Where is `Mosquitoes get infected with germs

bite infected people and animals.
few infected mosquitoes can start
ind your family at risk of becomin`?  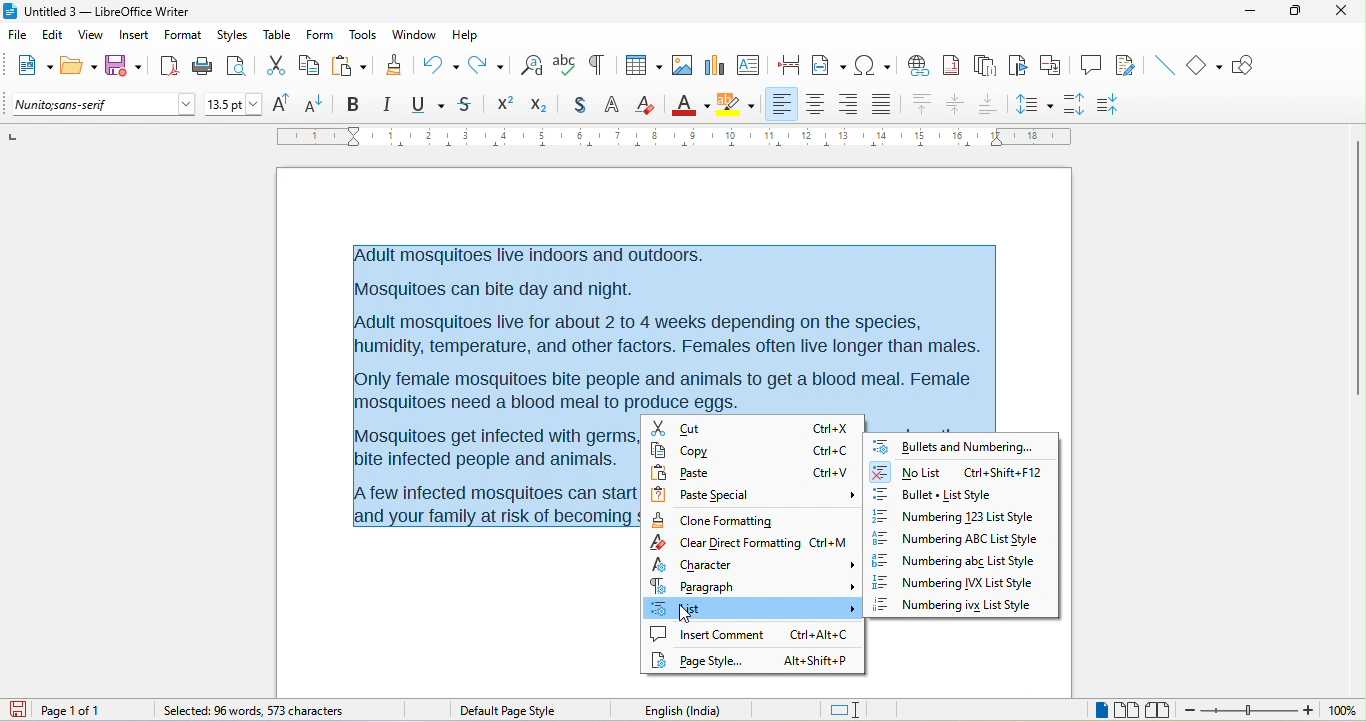 Mosquitoes get infected with germs

bite infected people and animals.
few infected mosquitoes can start
ind your family at risk of becomin is located at coordinates (495, 477).